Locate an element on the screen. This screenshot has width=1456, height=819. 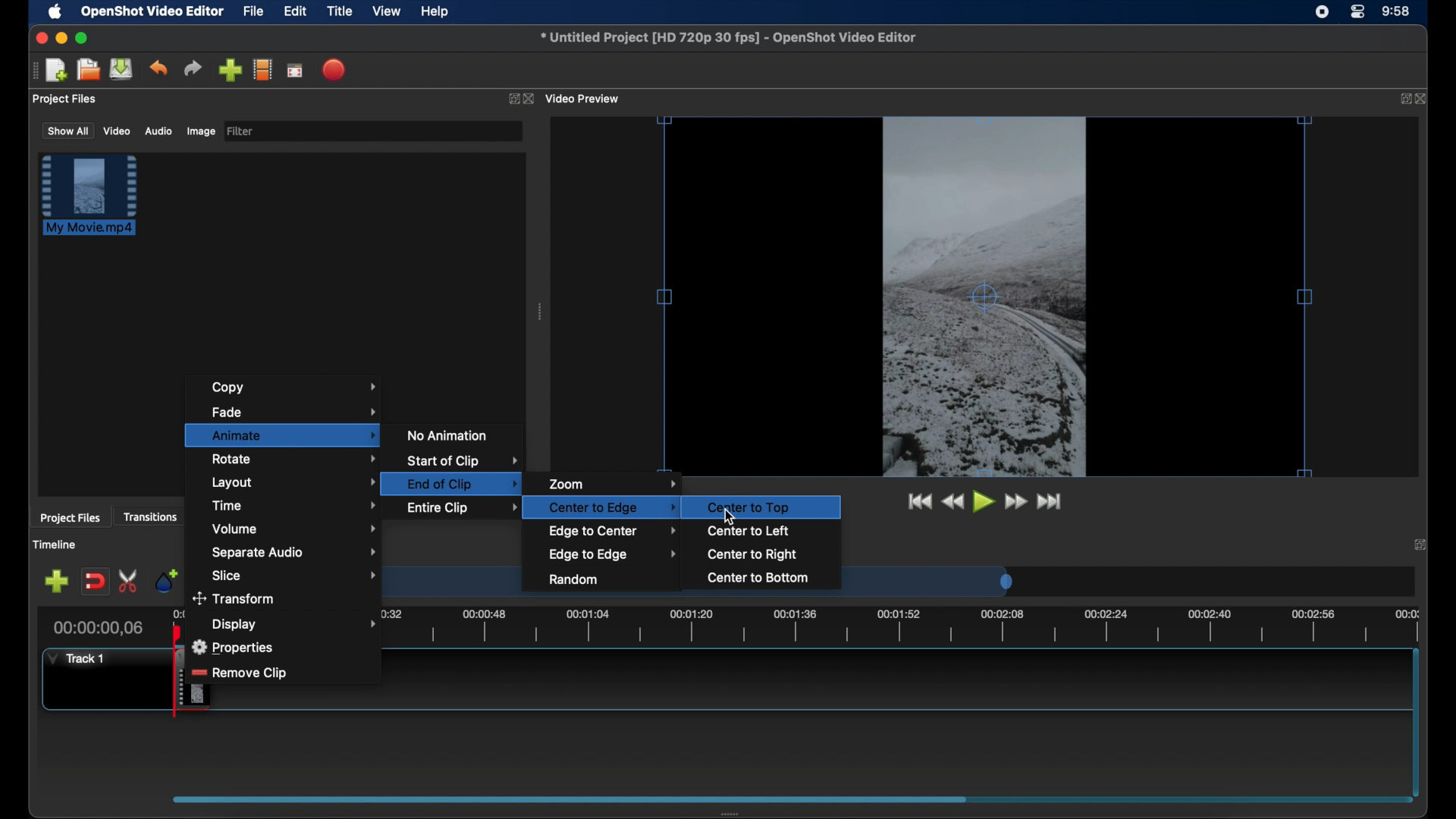
import files is located at coordinates (230, 71).